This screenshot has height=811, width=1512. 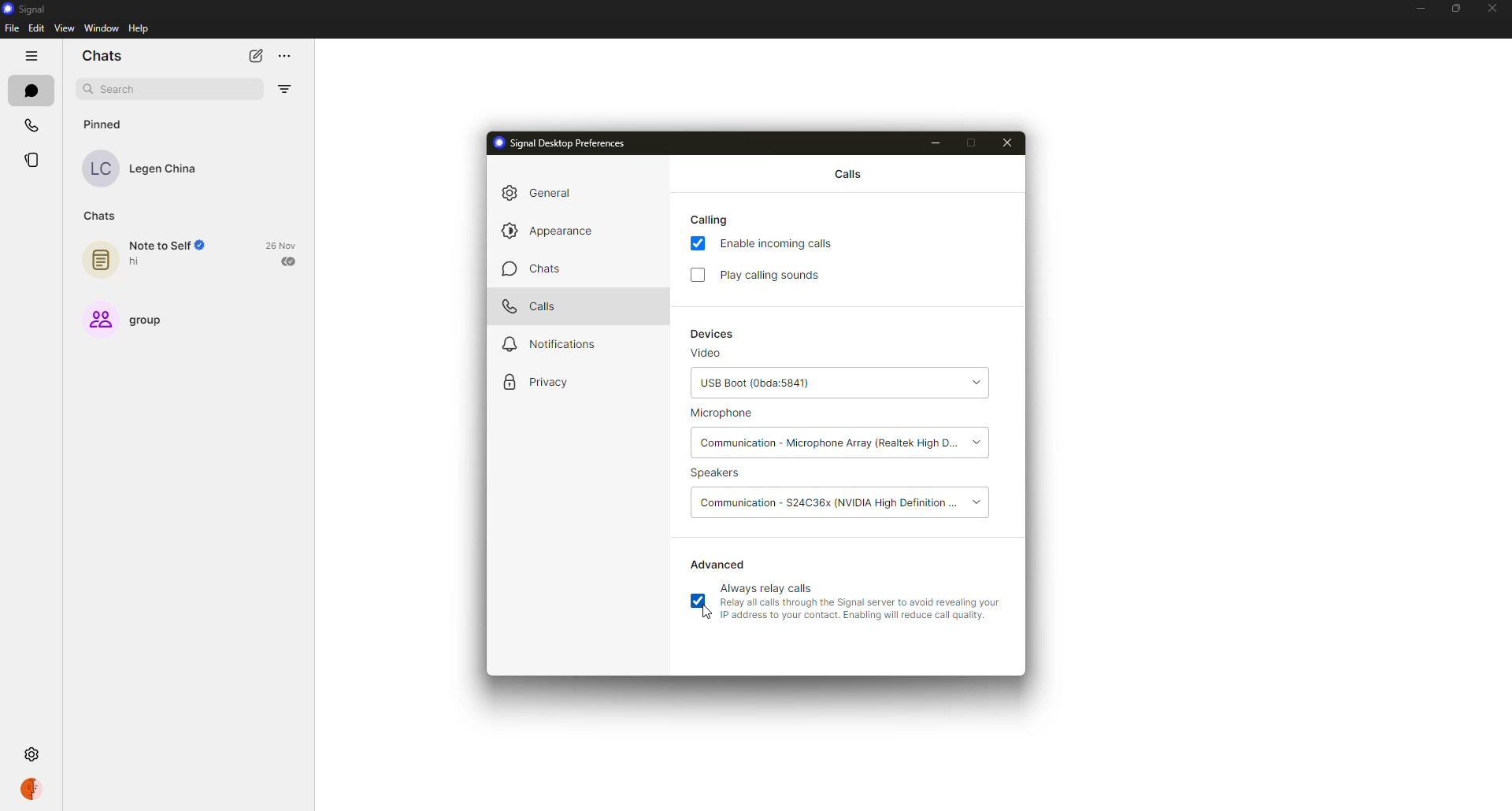 I want to click on pinned, so click(x=105, y=124).